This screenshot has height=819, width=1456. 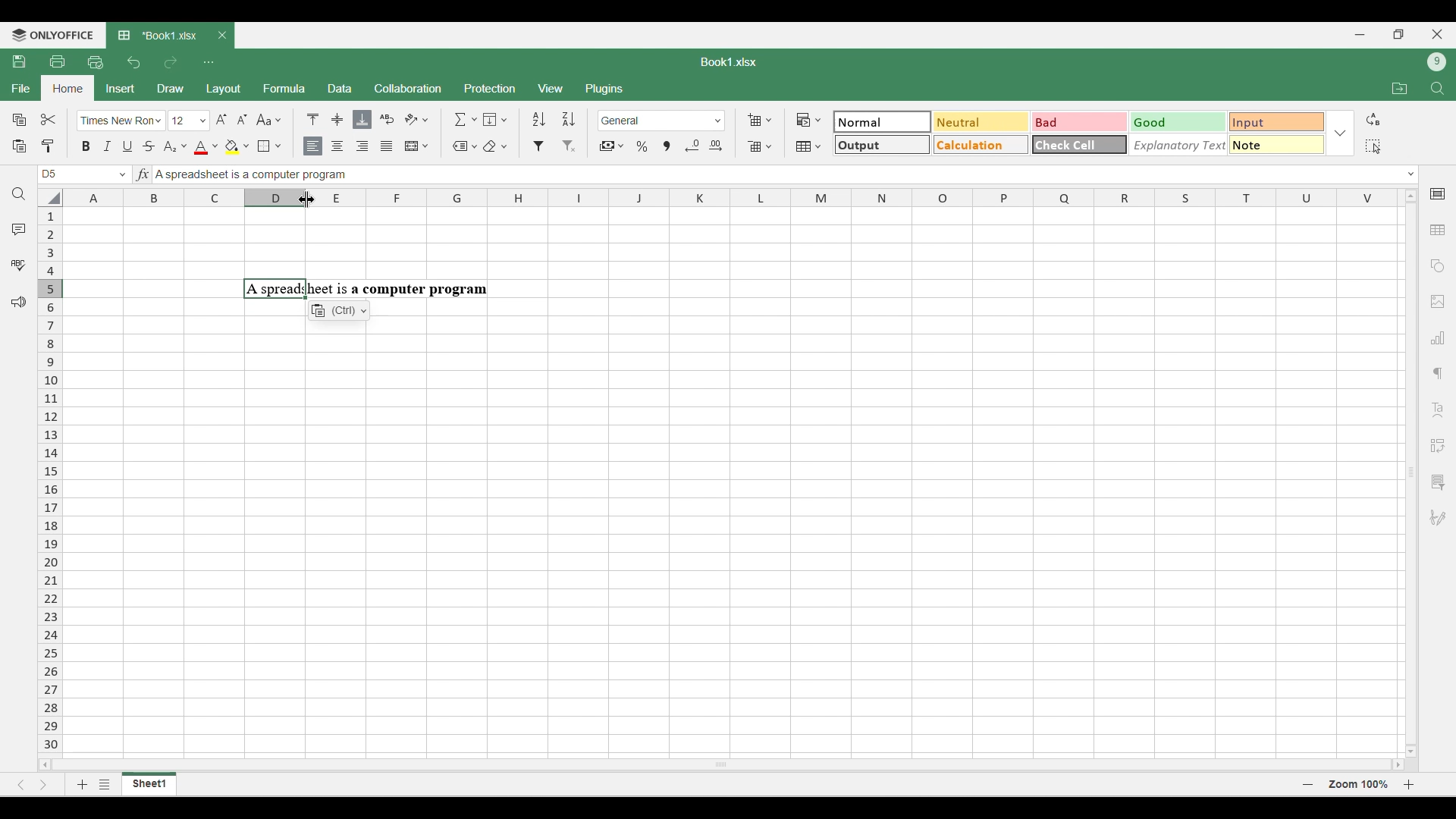 What do you see at coordinates (613, 146) in the screenshot?
I see `Accounting style` at bounding box center [613, 146].